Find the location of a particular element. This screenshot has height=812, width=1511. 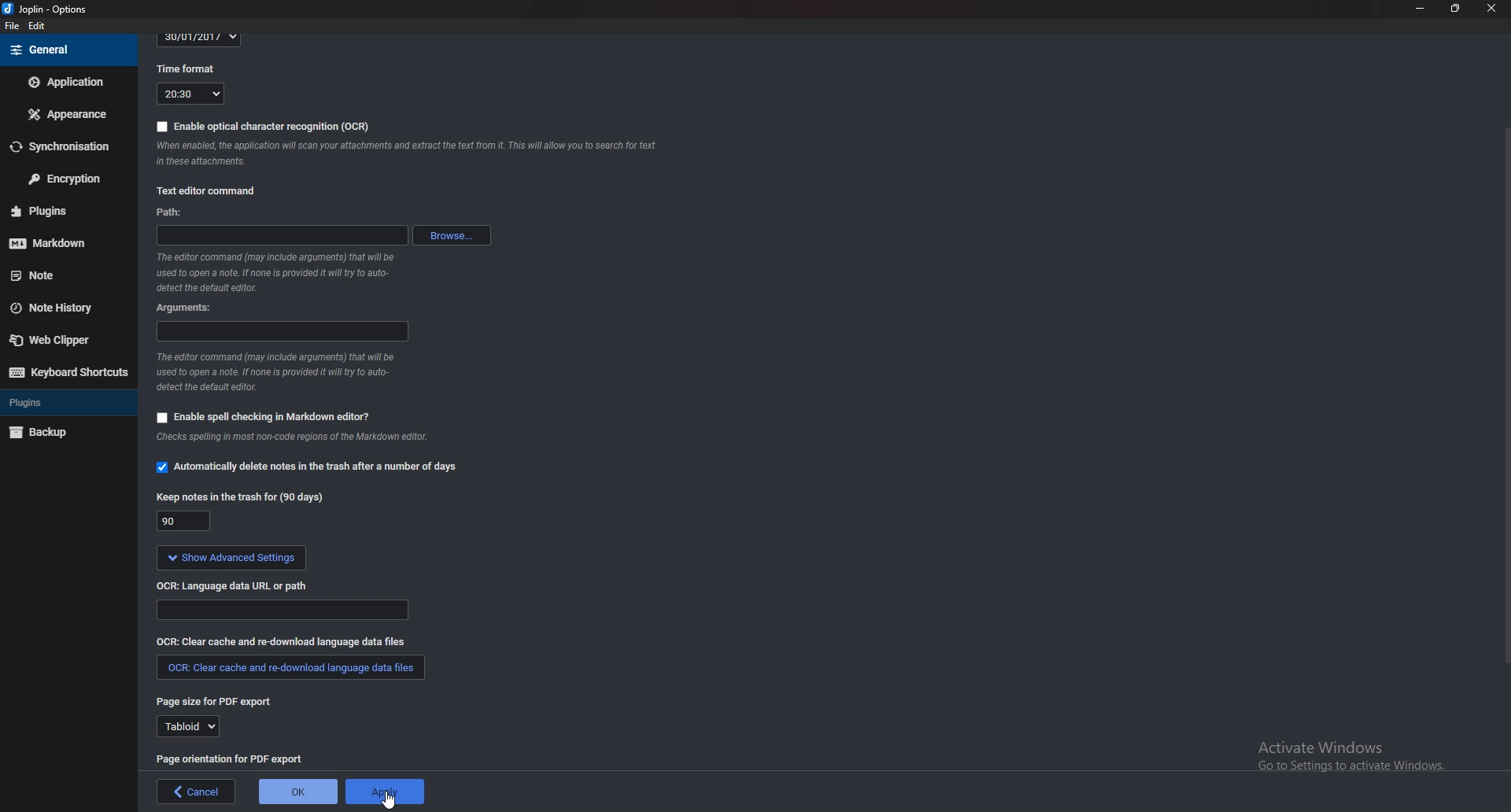

Cursor is located at coordinates (392, 800).